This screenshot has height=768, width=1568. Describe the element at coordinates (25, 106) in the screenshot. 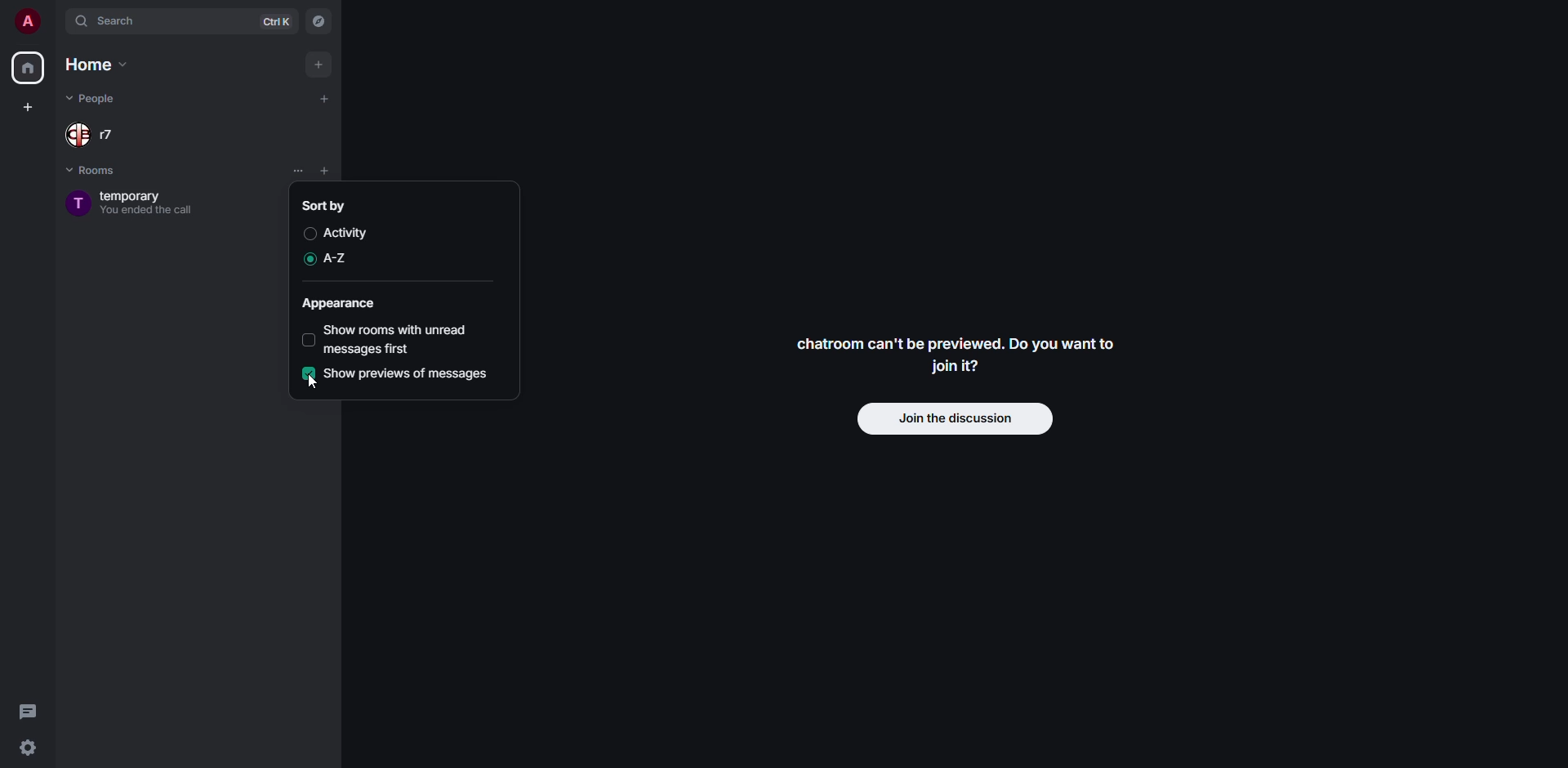

I see `create space` at that location.